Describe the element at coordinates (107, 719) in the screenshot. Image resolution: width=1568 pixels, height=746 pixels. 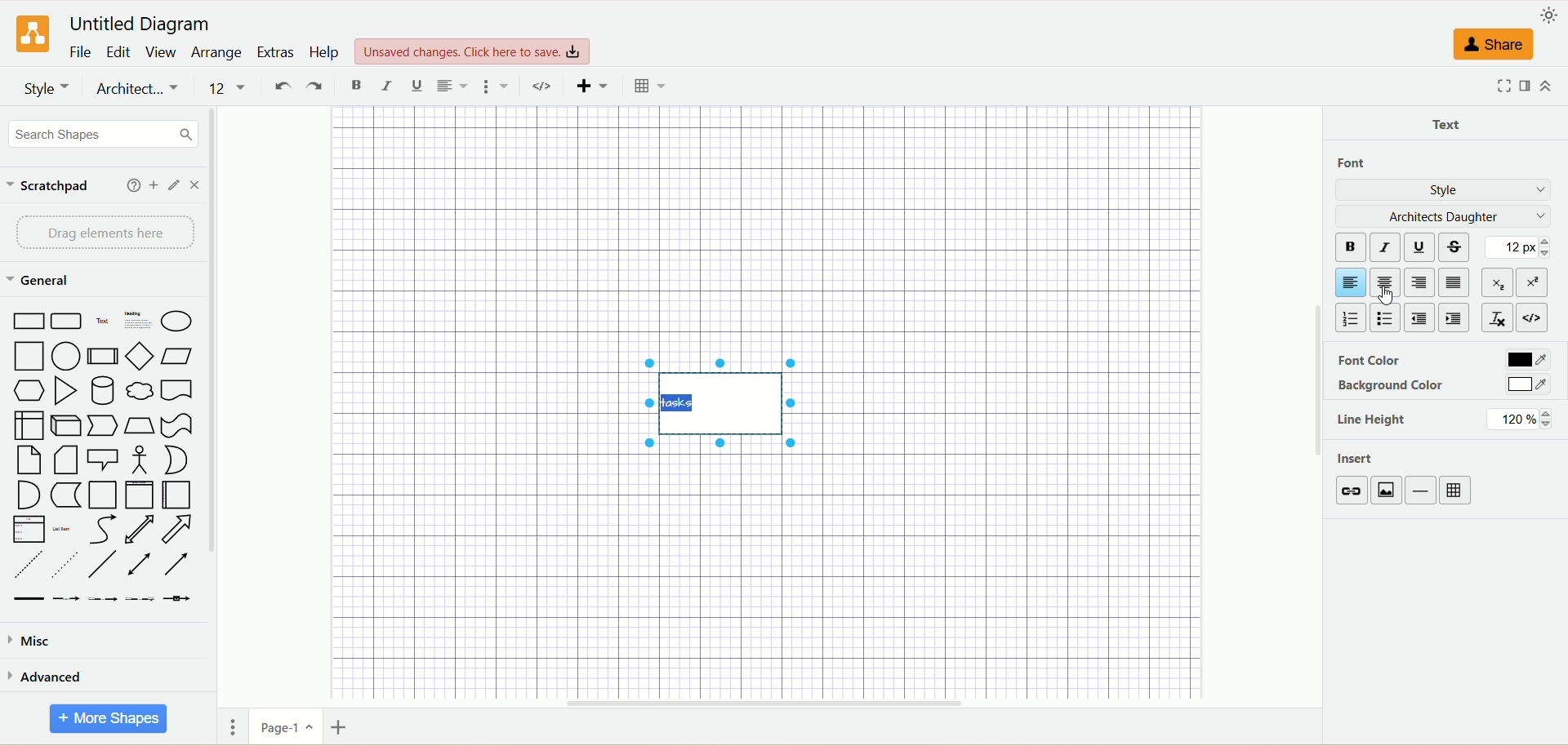
I see `more shapes` at that location.